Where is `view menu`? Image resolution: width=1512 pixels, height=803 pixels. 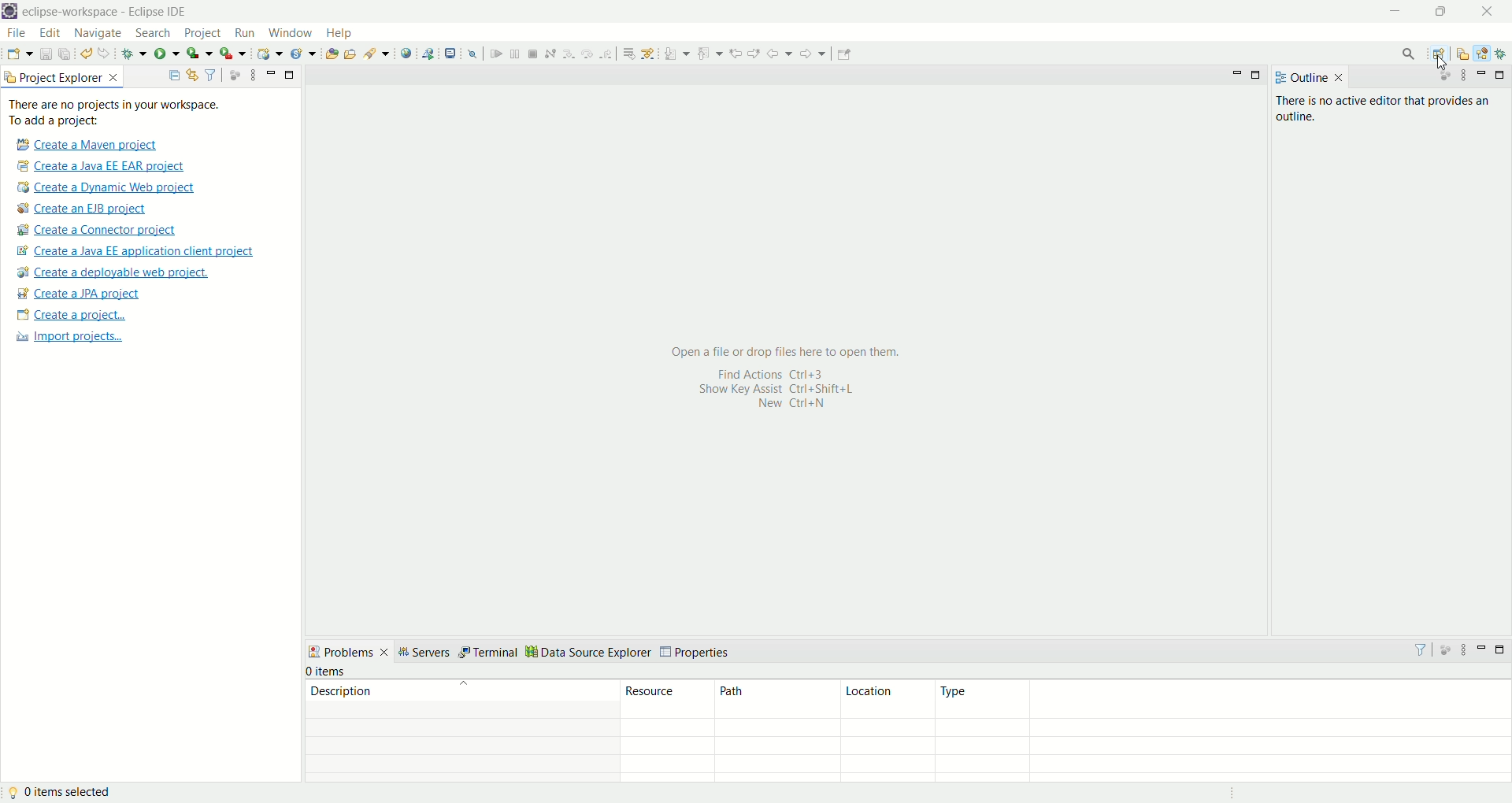
view menu is located at coordinates (1463, 649).